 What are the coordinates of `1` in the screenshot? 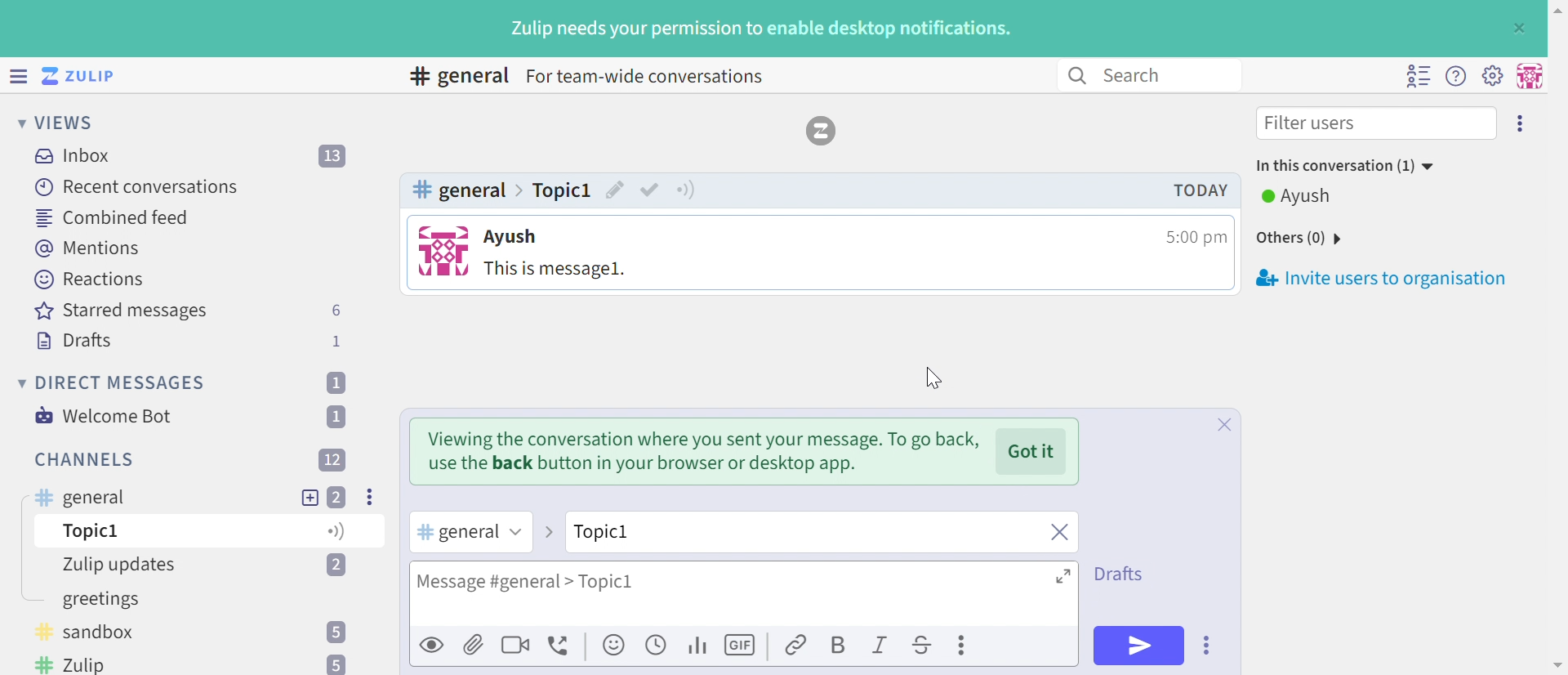 It's located at (335, 382).